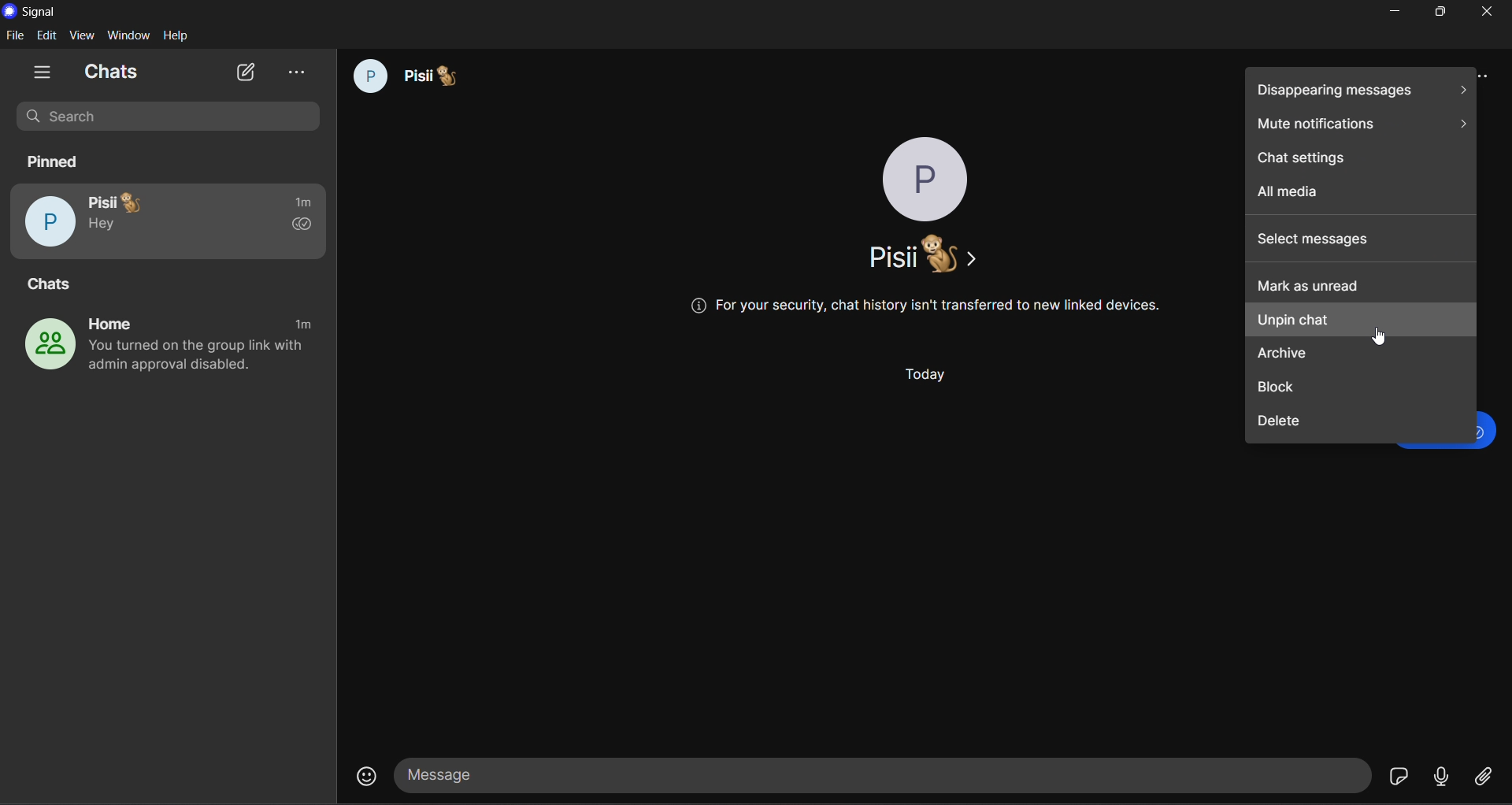  What do you see at coordinates (1360, 124) in the screenshot?
I see `mute notifications` at bounding box center [1360, 124].